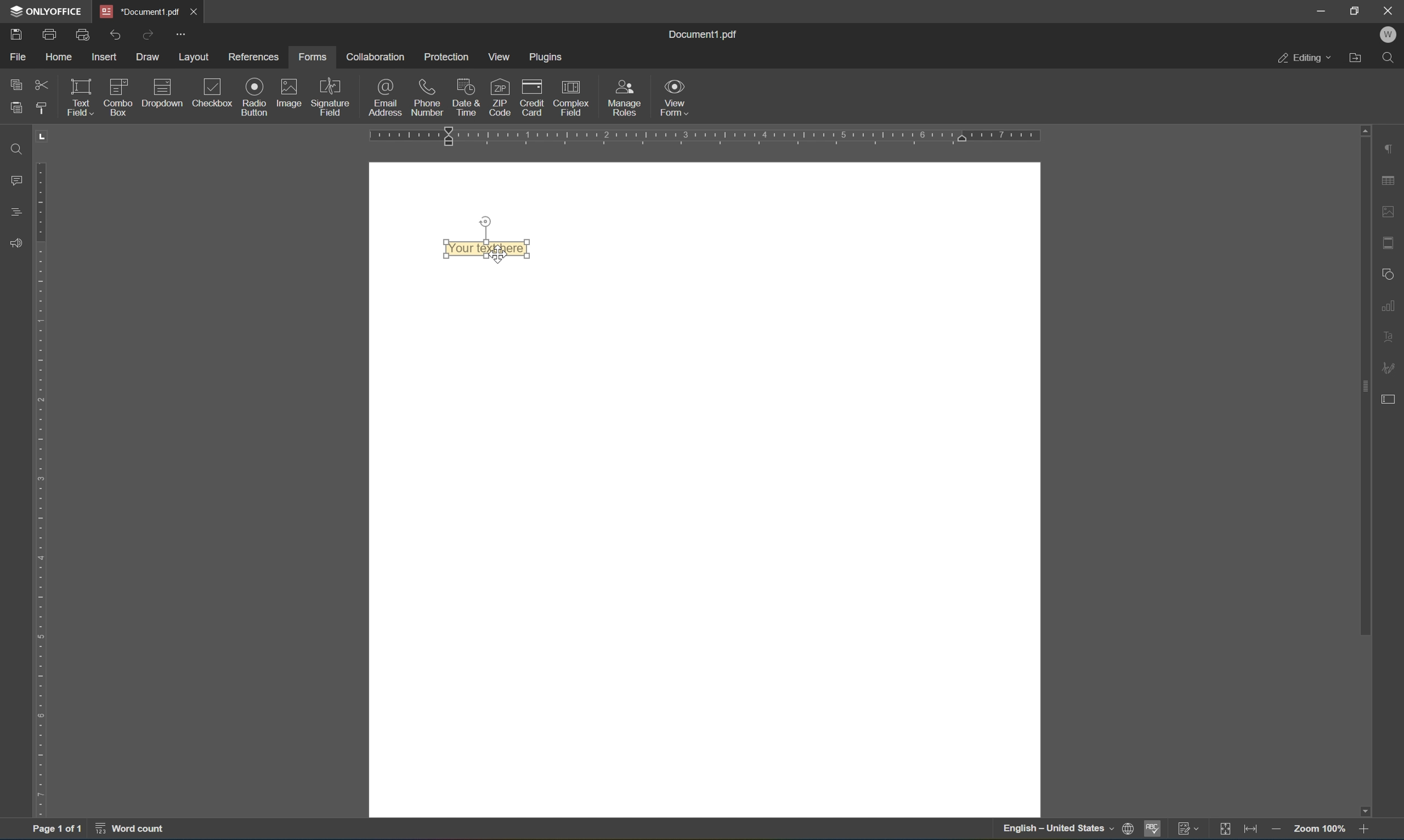 The image size is (1404, 840). Describe the element at coordinates (1356, 10) in the screenshot. I see `restore down` at that location.